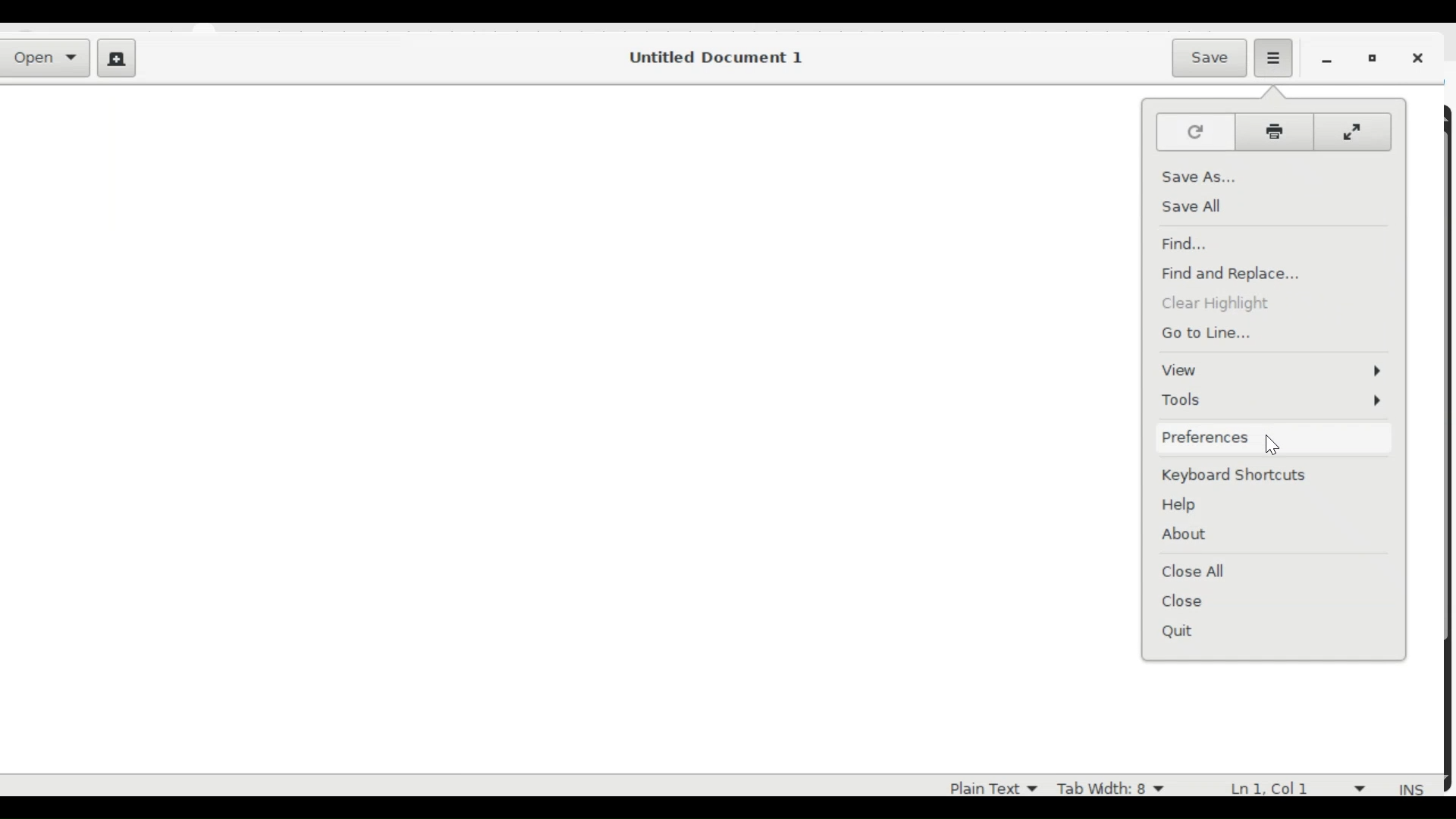 The height and width of the screenshot is (819, 1456). Describe the element at coordinates (1272, 399) in the screenshot. I see `Tools` at that location.